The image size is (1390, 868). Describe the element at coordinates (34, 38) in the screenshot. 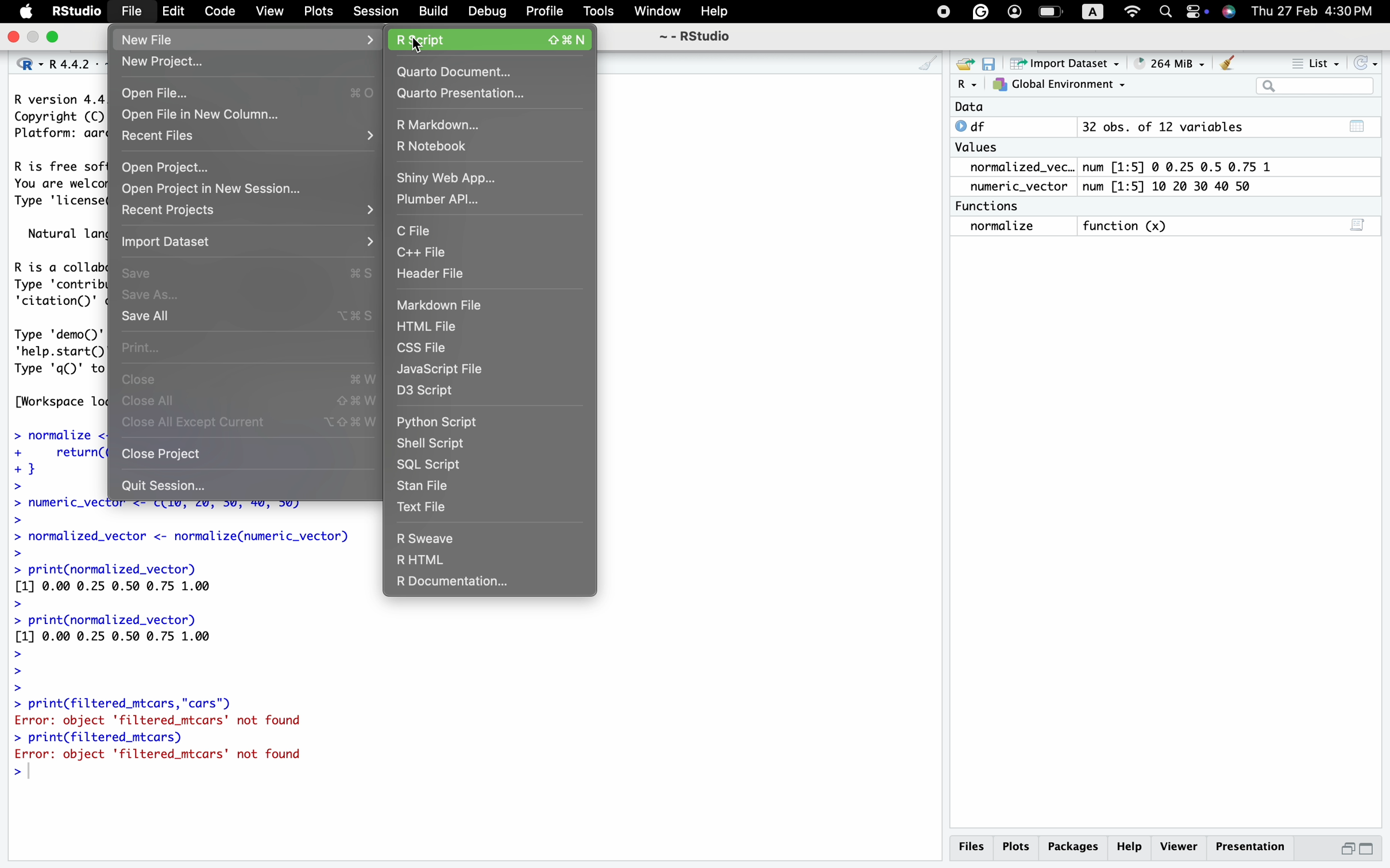

I see `minimize` at that location.